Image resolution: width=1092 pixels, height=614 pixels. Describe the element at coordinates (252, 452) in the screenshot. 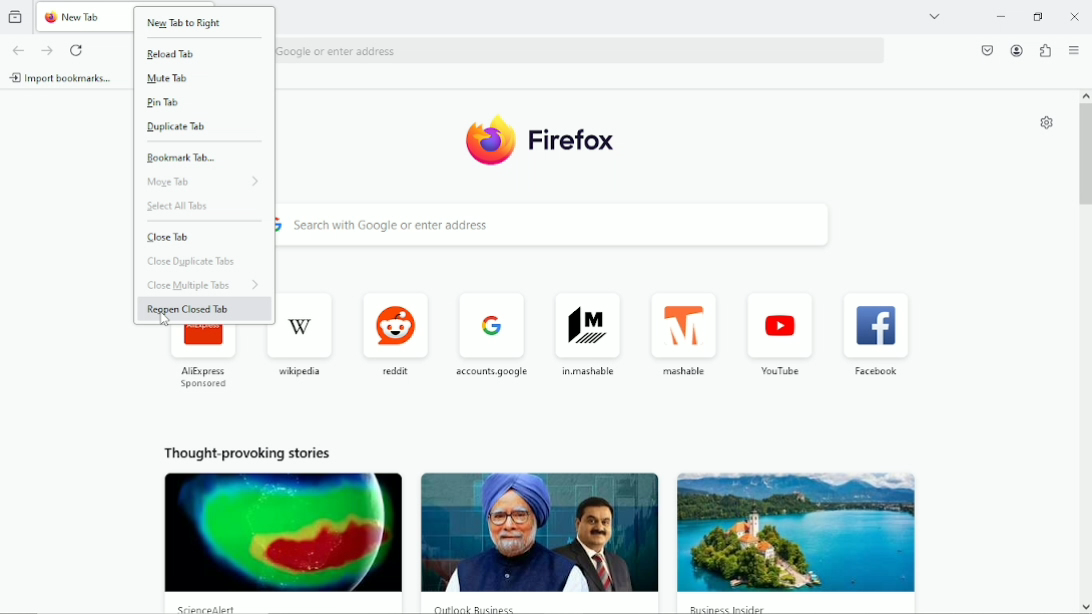

I see `Thought provoking stories` at that location.